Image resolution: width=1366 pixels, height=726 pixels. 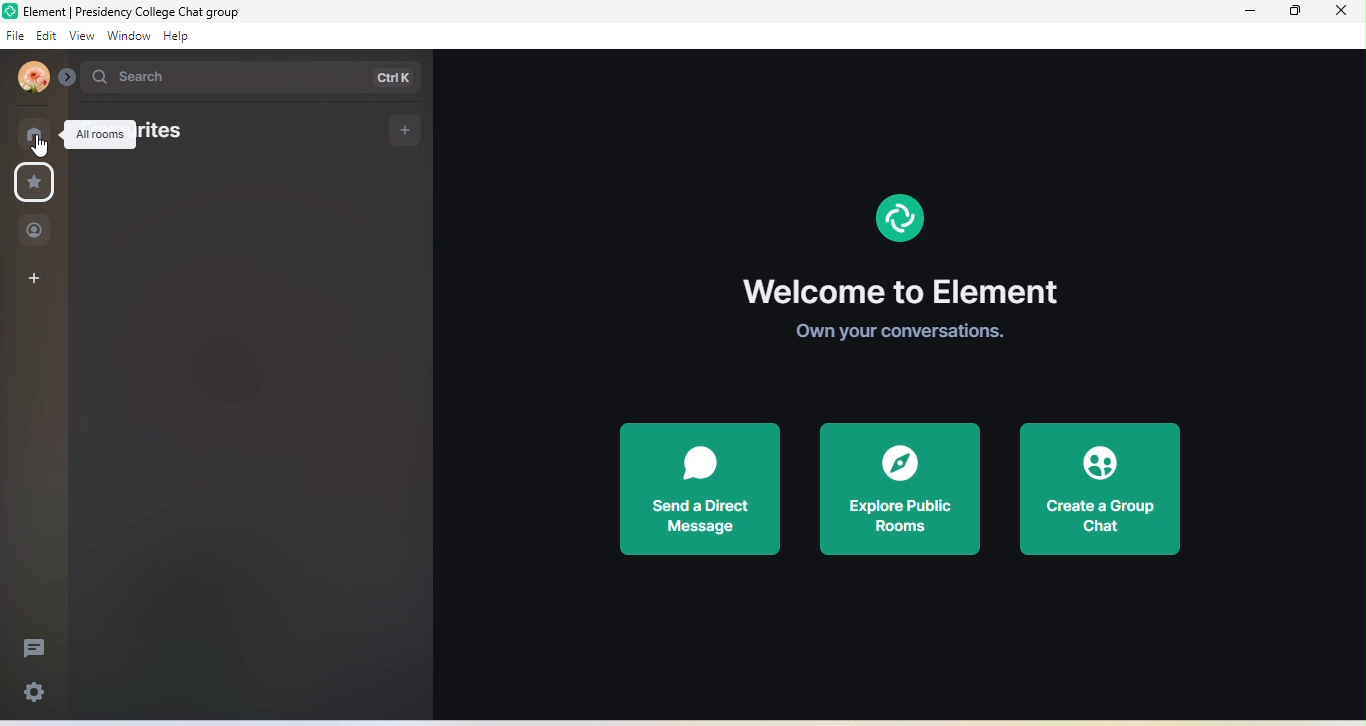 I want to click on explore public rooms, so click(x=900, y=489).